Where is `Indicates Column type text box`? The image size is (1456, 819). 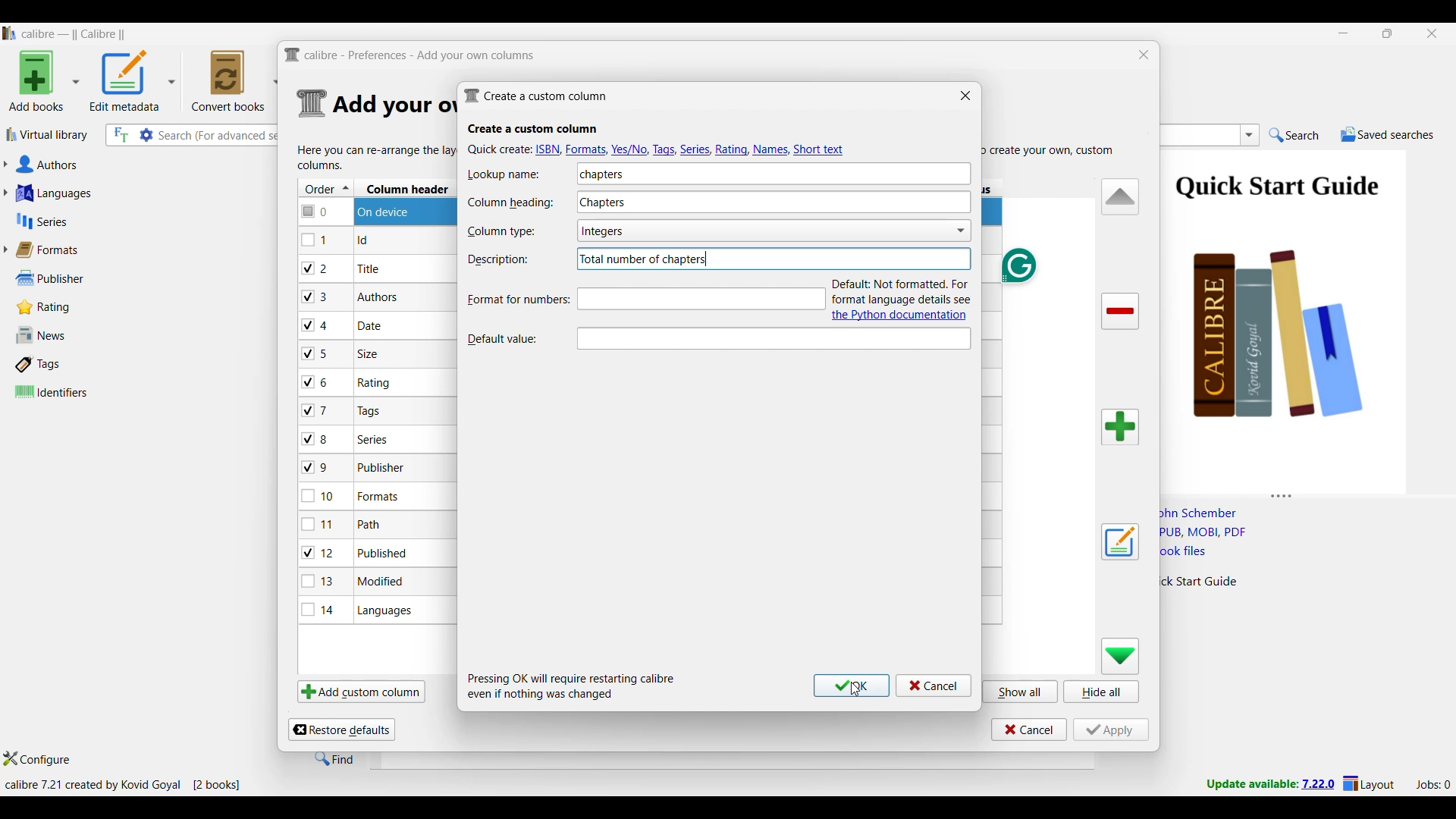 Indicates Column type text box is located at coordinates (500, 232).